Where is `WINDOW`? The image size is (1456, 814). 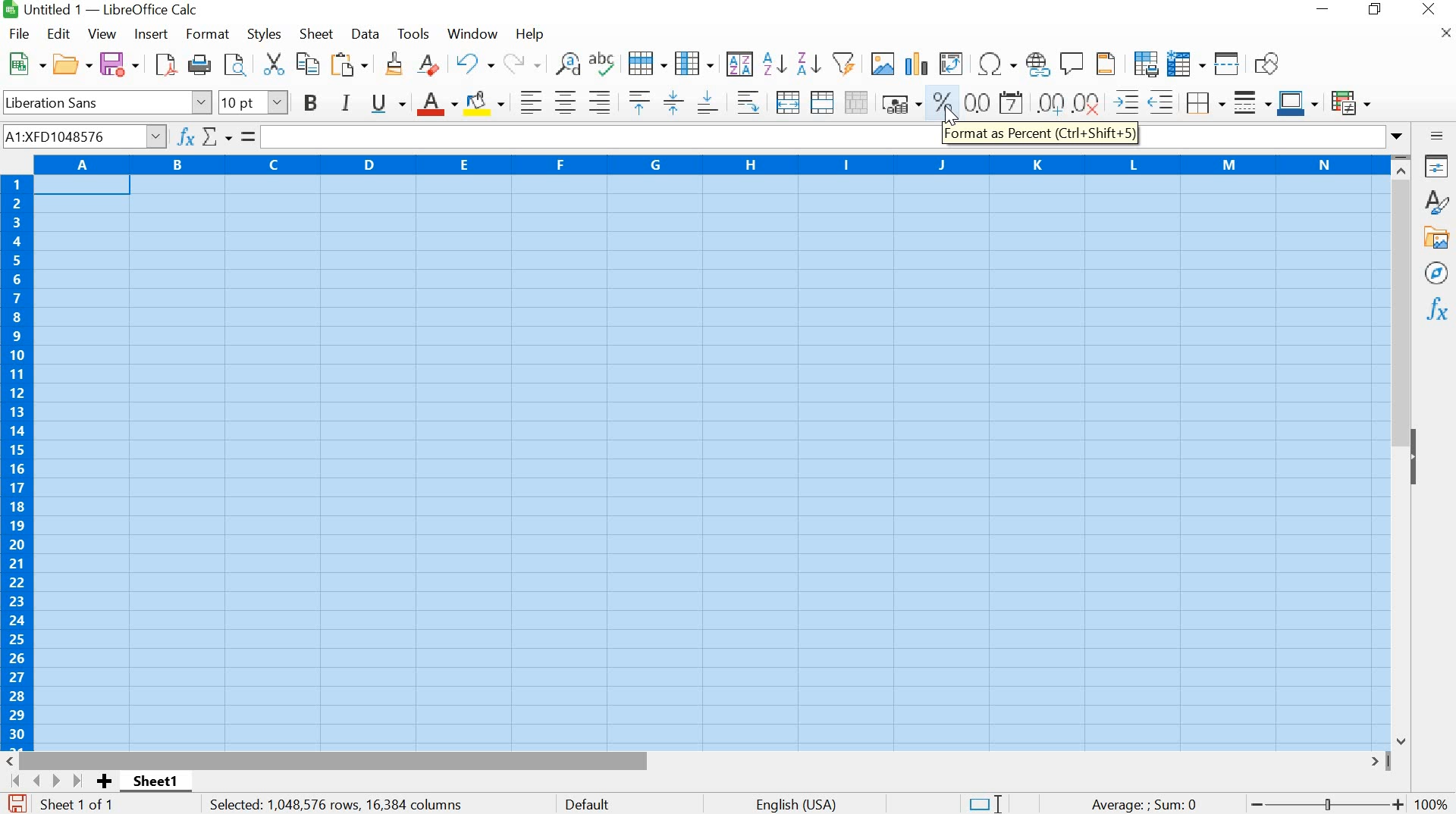
WINDOW is located at coordinates (472, 36).